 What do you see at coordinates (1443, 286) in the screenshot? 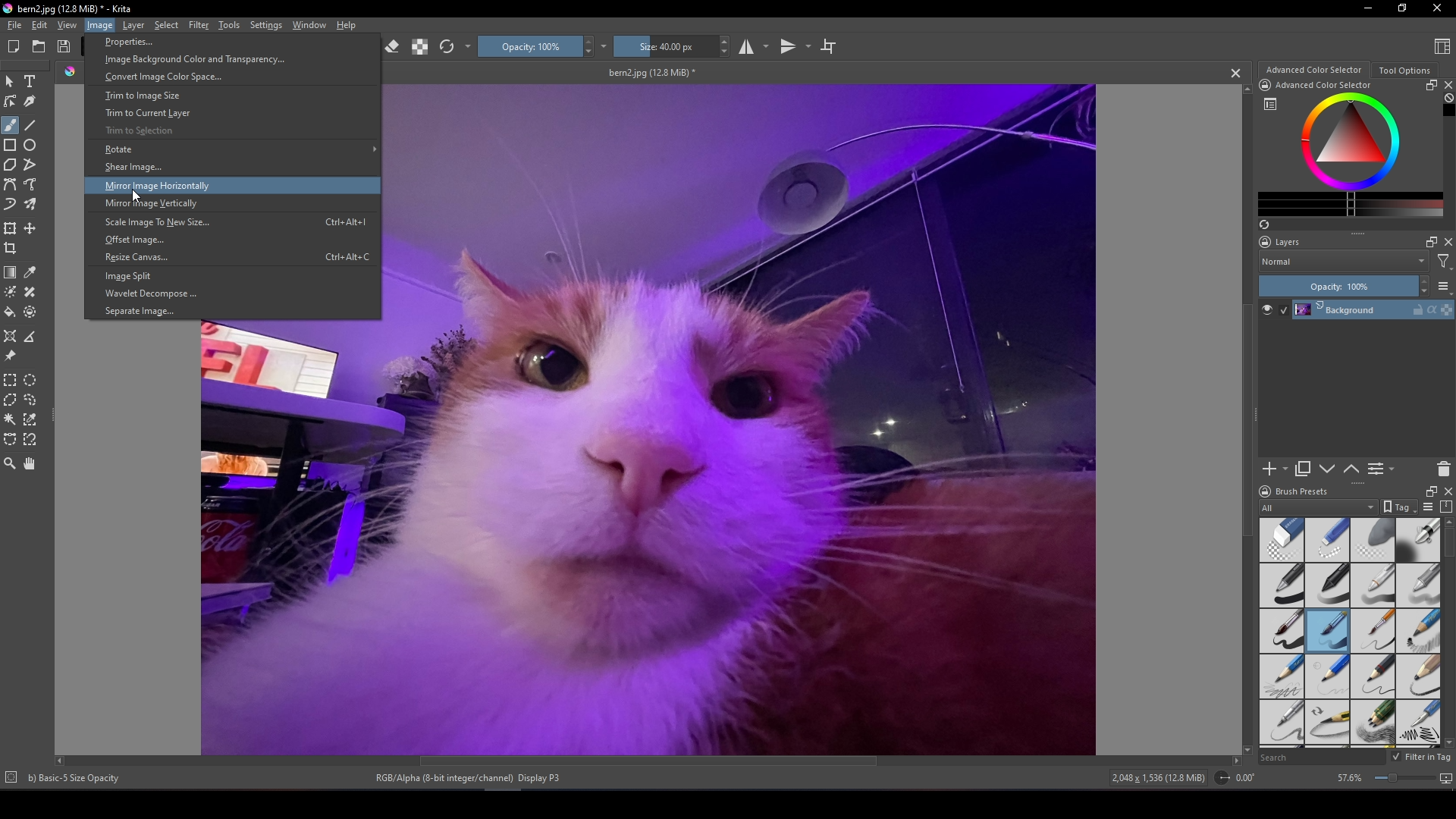
I see `Thumbnail settings` at bounding box center [1443, 286].